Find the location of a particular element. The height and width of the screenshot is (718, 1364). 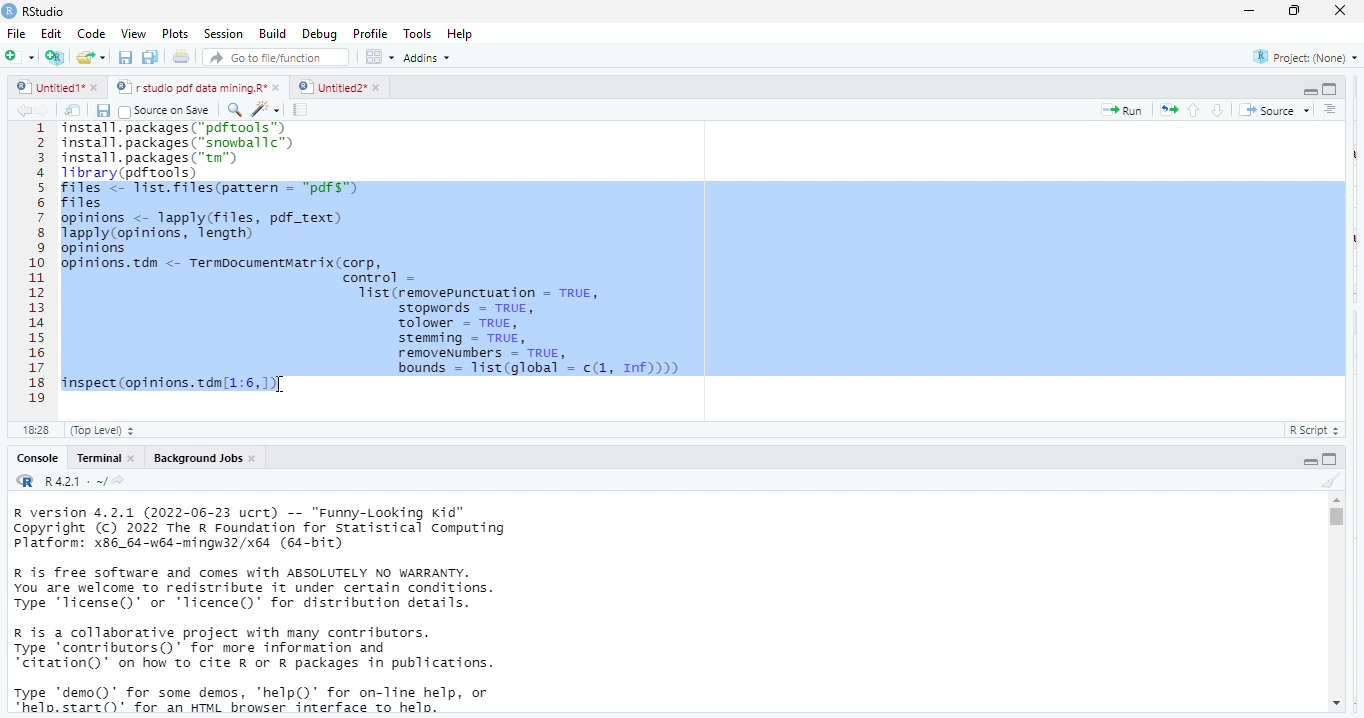

create a project is located at coordinates (53, 57).